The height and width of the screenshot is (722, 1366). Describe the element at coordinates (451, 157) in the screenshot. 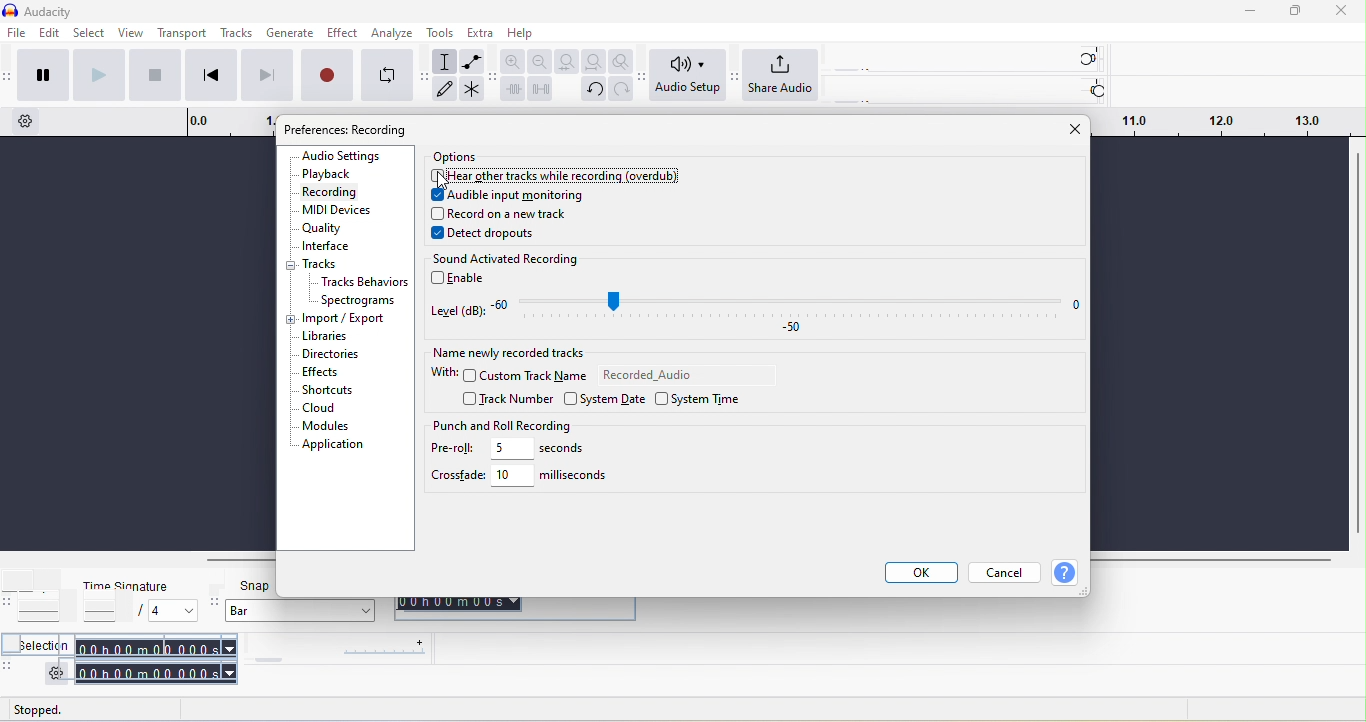

I see `options` at that location.